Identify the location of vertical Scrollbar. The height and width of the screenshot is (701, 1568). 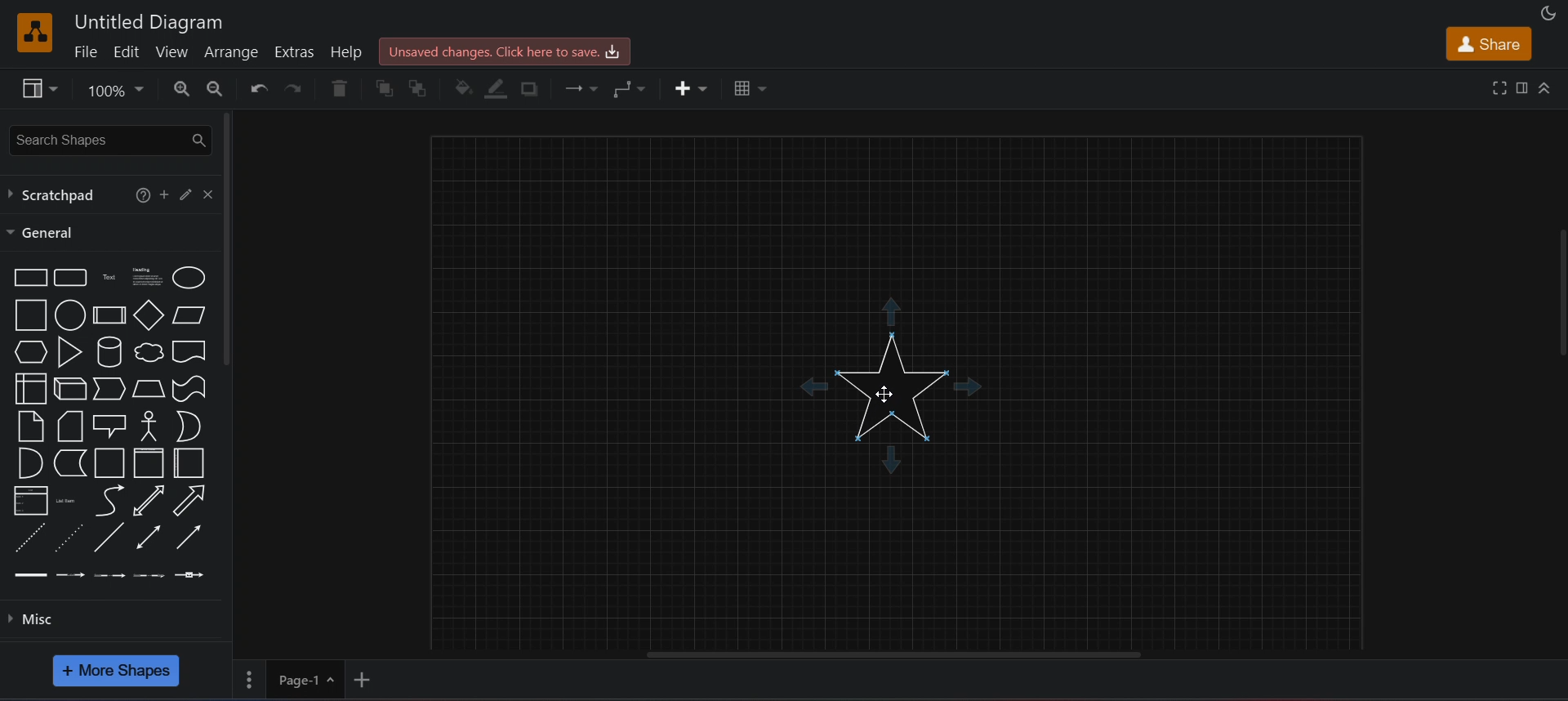
(1556, 328).